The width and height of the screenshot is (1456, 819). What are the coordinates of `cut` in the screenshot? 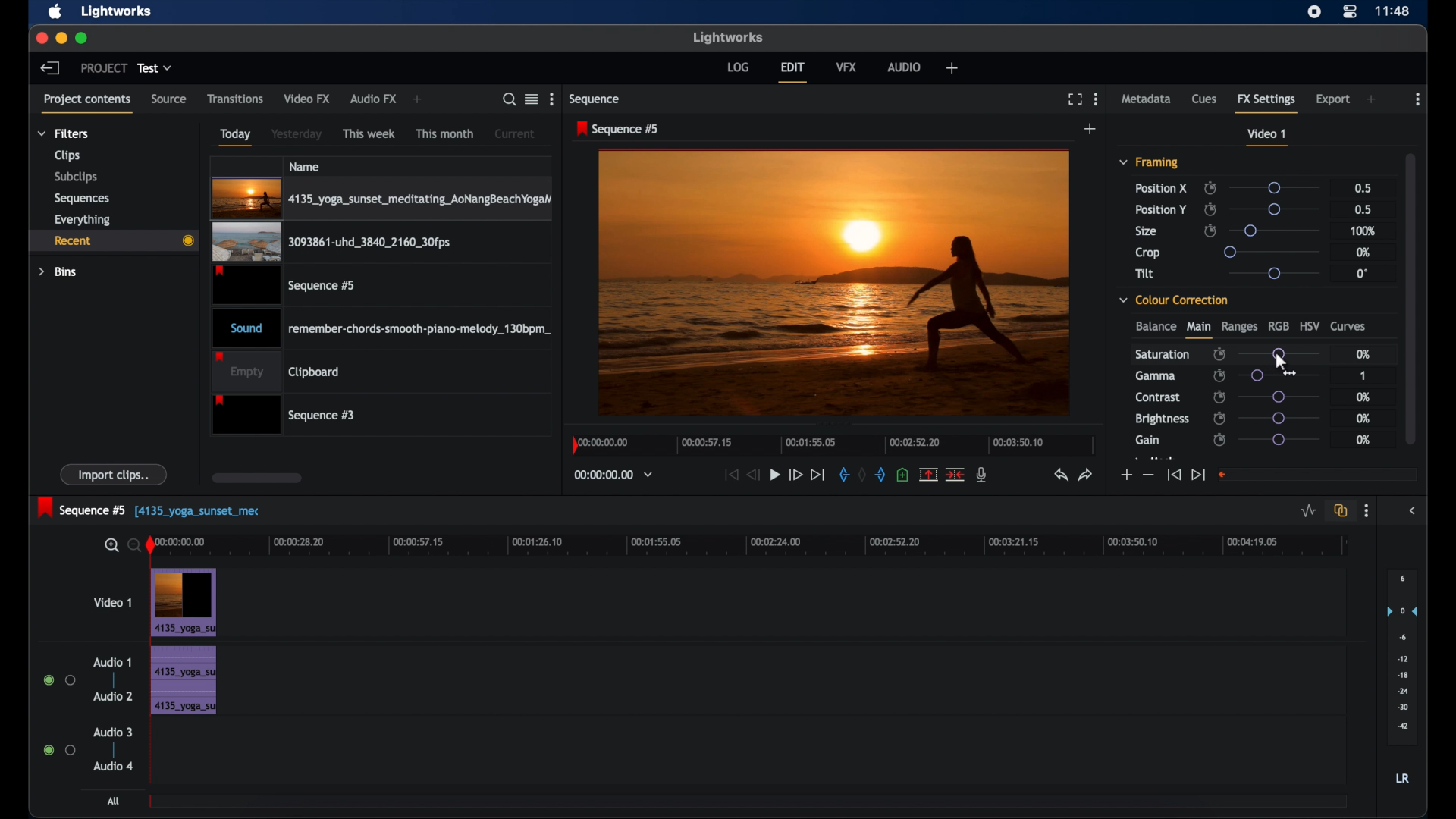 It's located at (955, 474).